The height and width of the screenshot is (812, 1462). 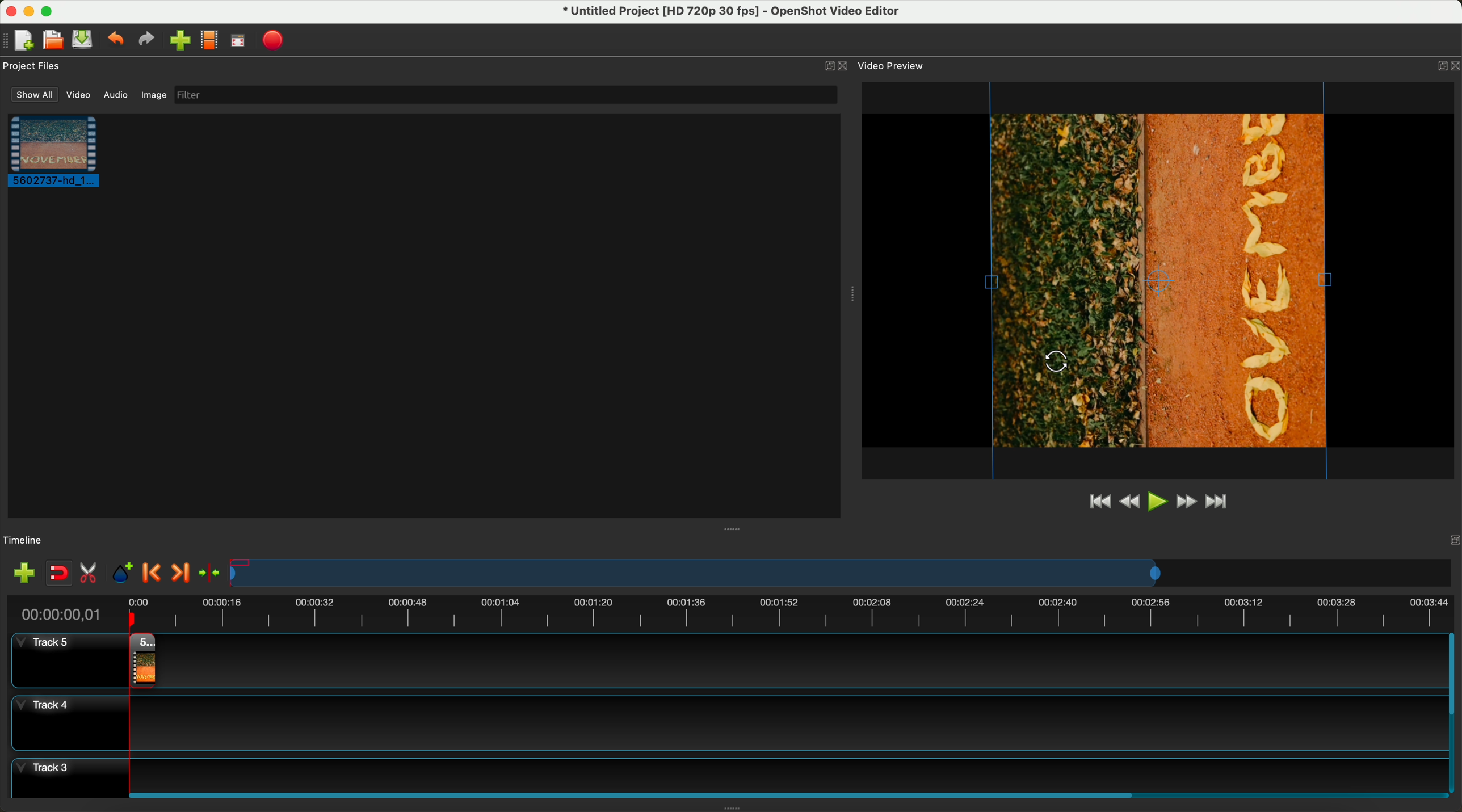 What do you see at coordinates (184, 570) in the screenshot?
I see `next marker` at bounding box center [184, 570].